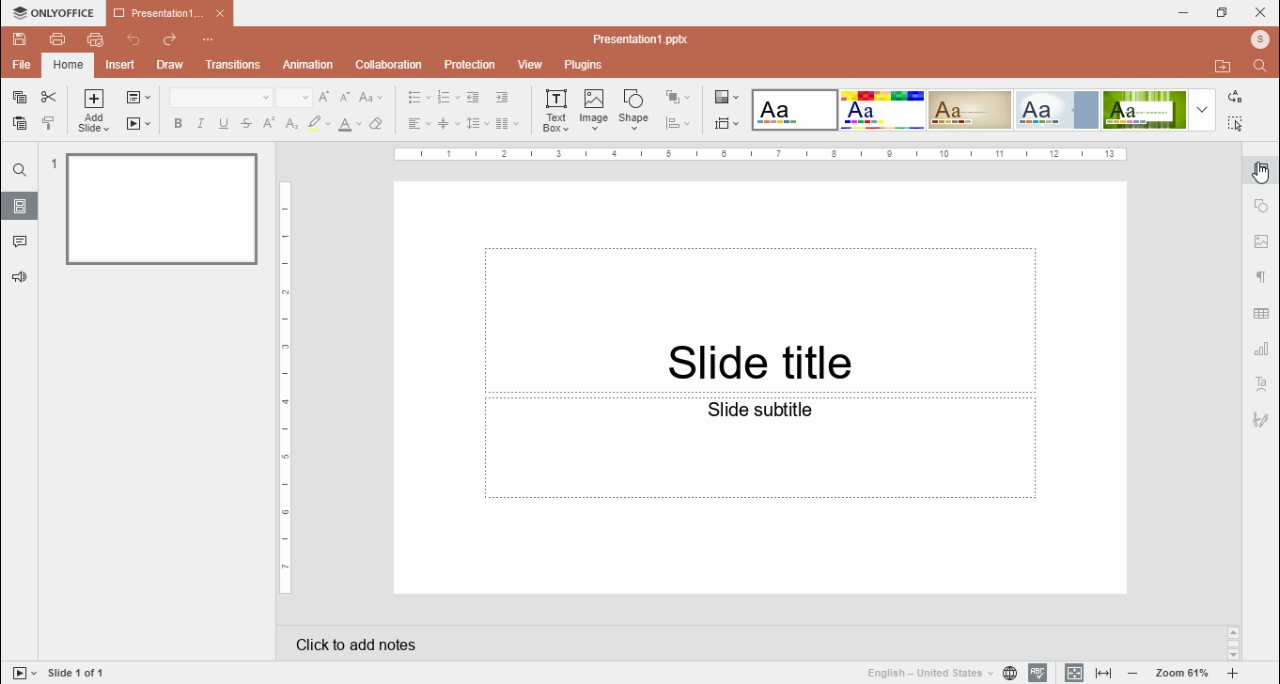 Image resolution: width=1280 pixels, height=684 pixels. What do you see at coordinates (507, 124) in the screenshot?
I see `insert columns` at bounding box center [507, 124].